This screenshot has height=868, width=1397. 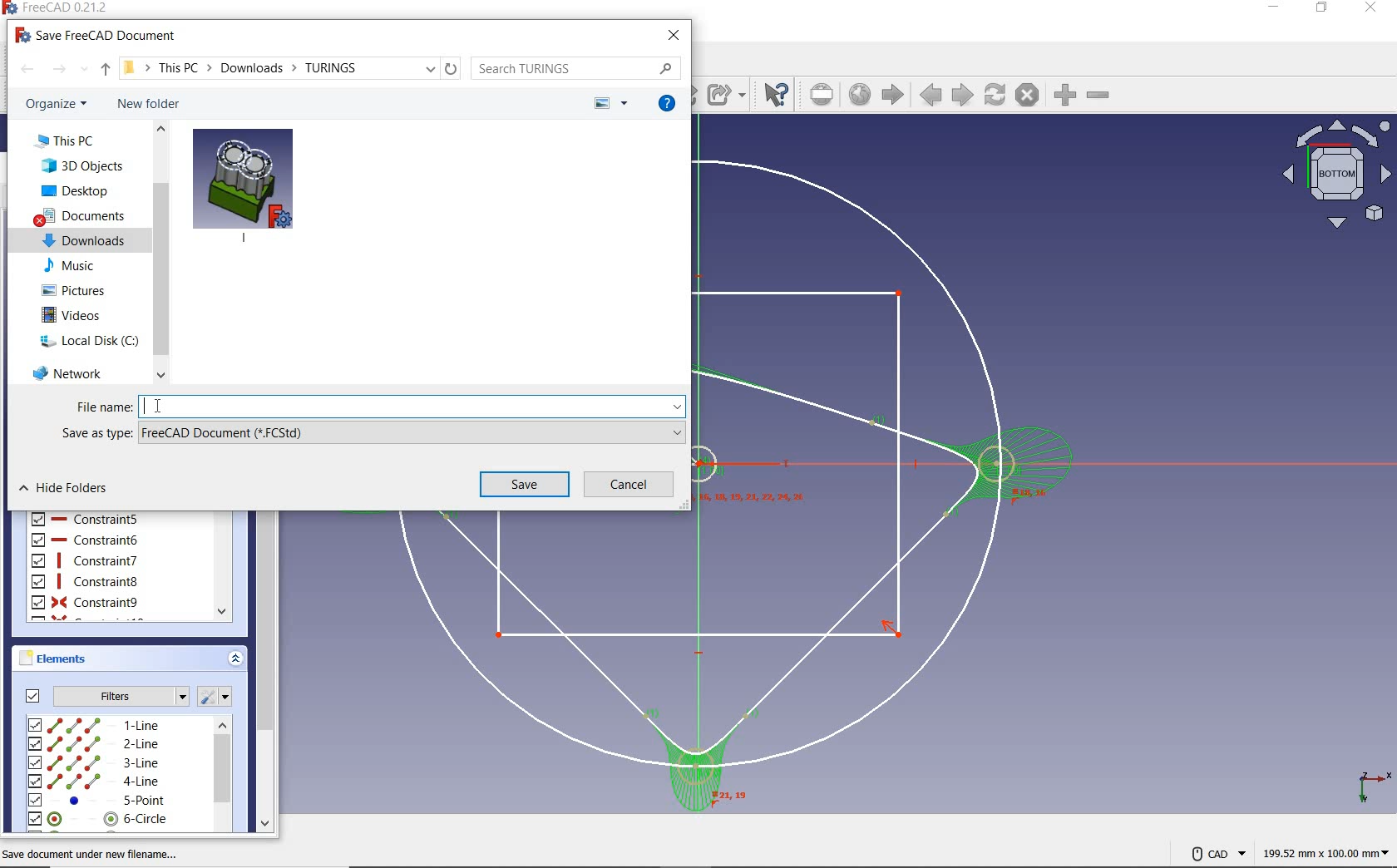 What do you see at coordinates (104, 406) in the screenshot?
I see `file name:` at bounding box center [104, 406].